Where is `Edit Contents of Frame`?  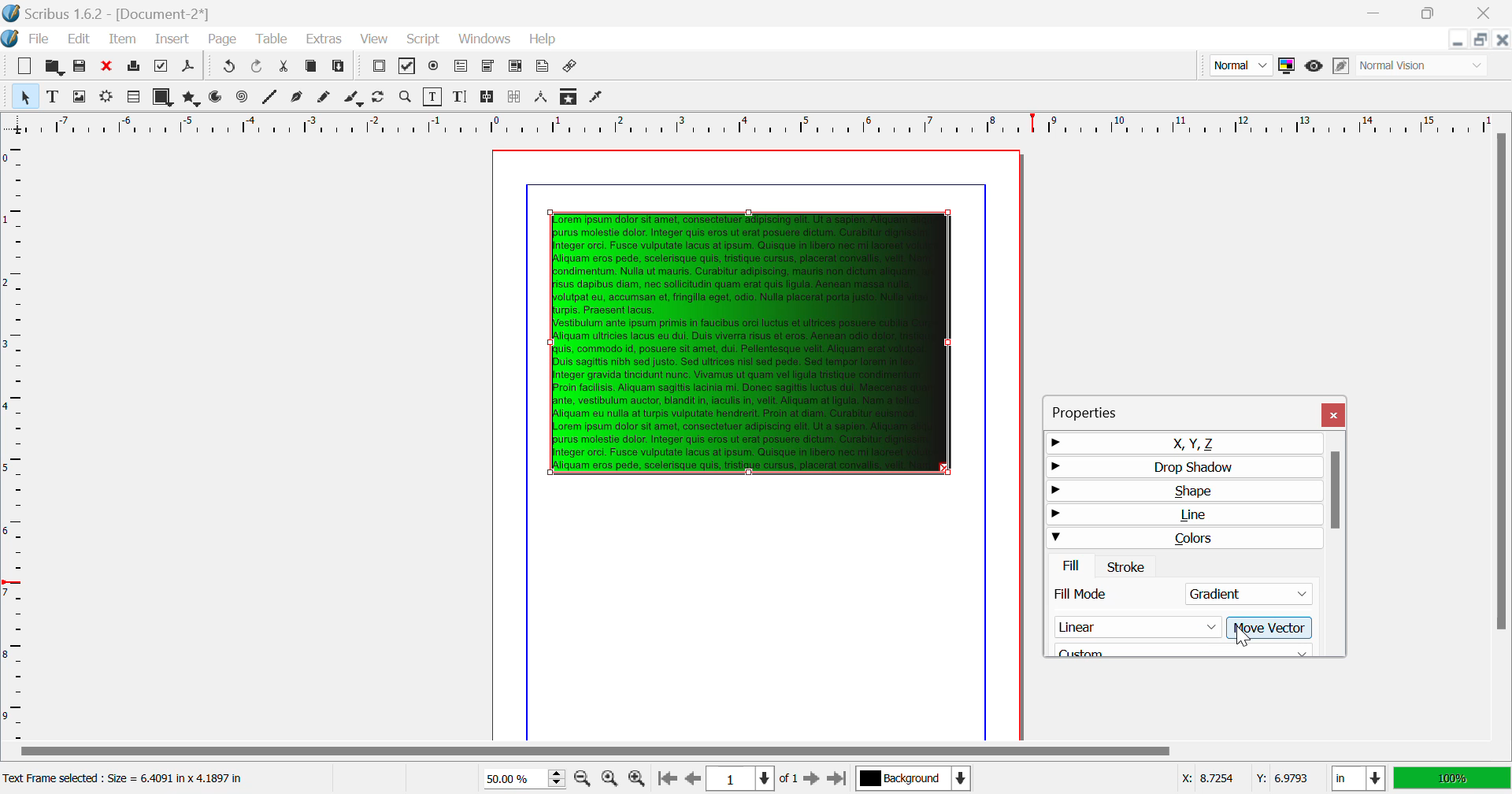 Edit Contents of Frame is located at coordinates (434, 97).